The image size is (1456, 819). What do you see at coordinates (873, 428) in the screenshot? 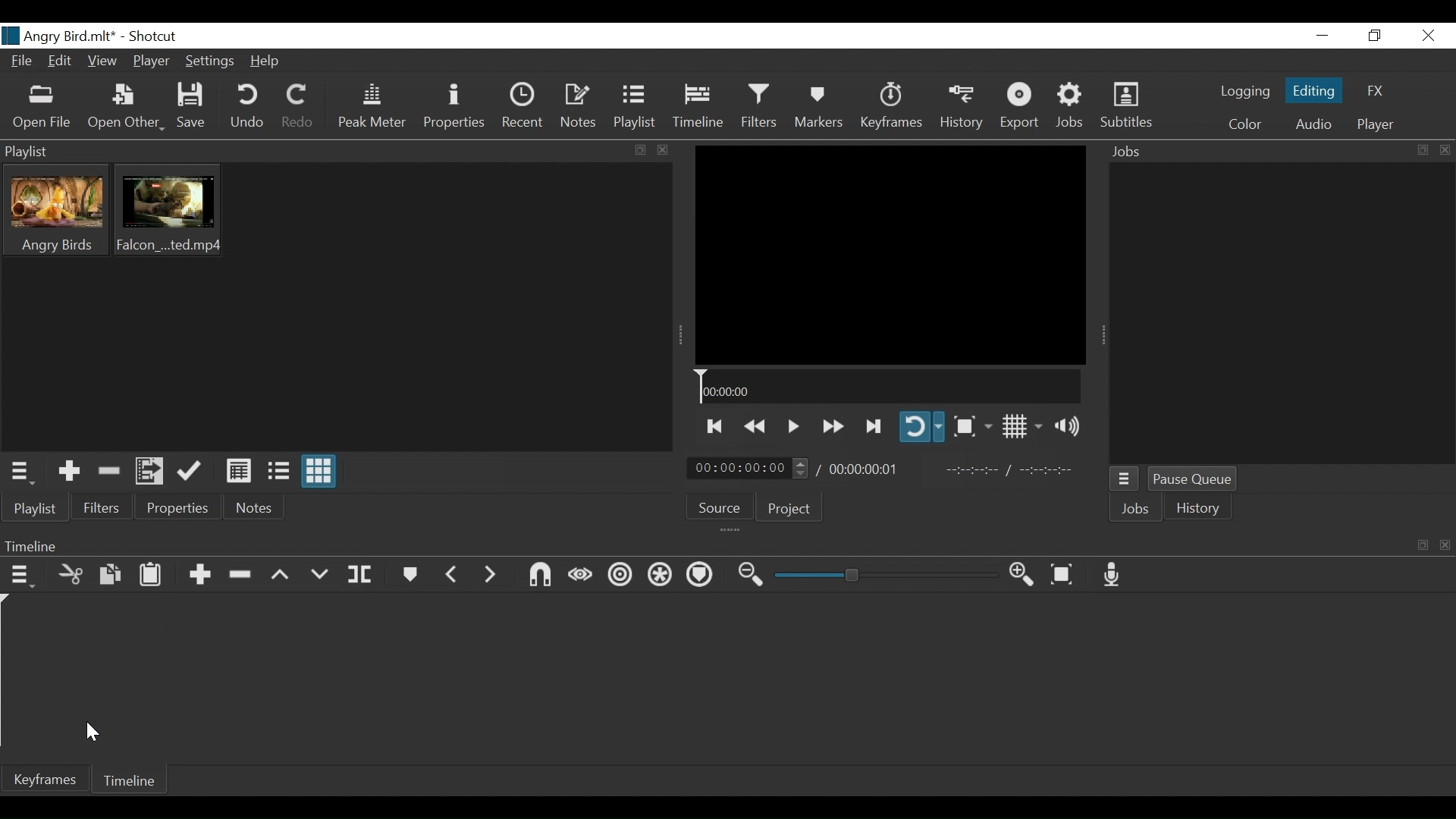
I see `Skip to the next point` at bounding box center [873, 428].